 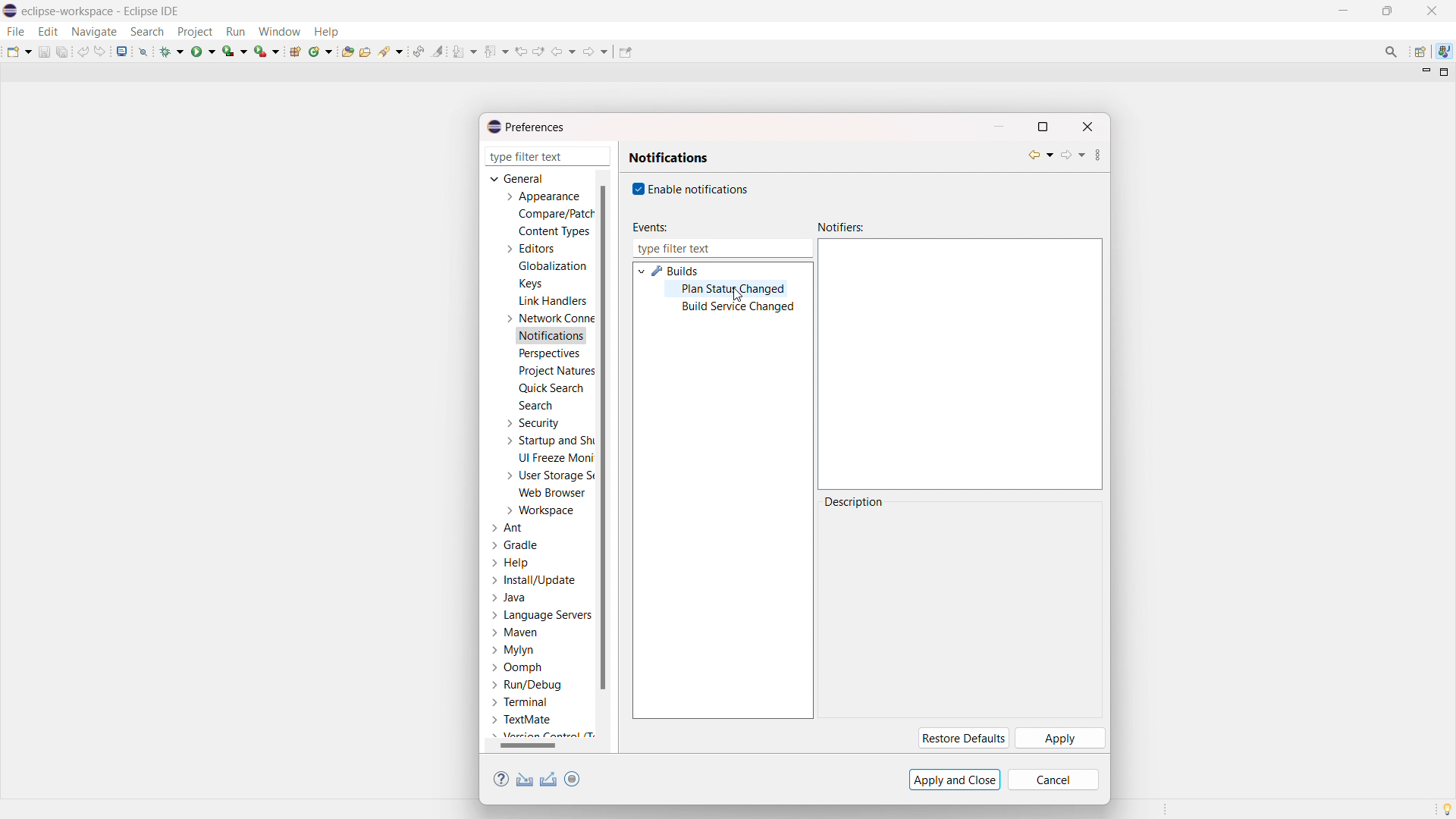 I want to click on cancel, so click(x=1053, y=780).